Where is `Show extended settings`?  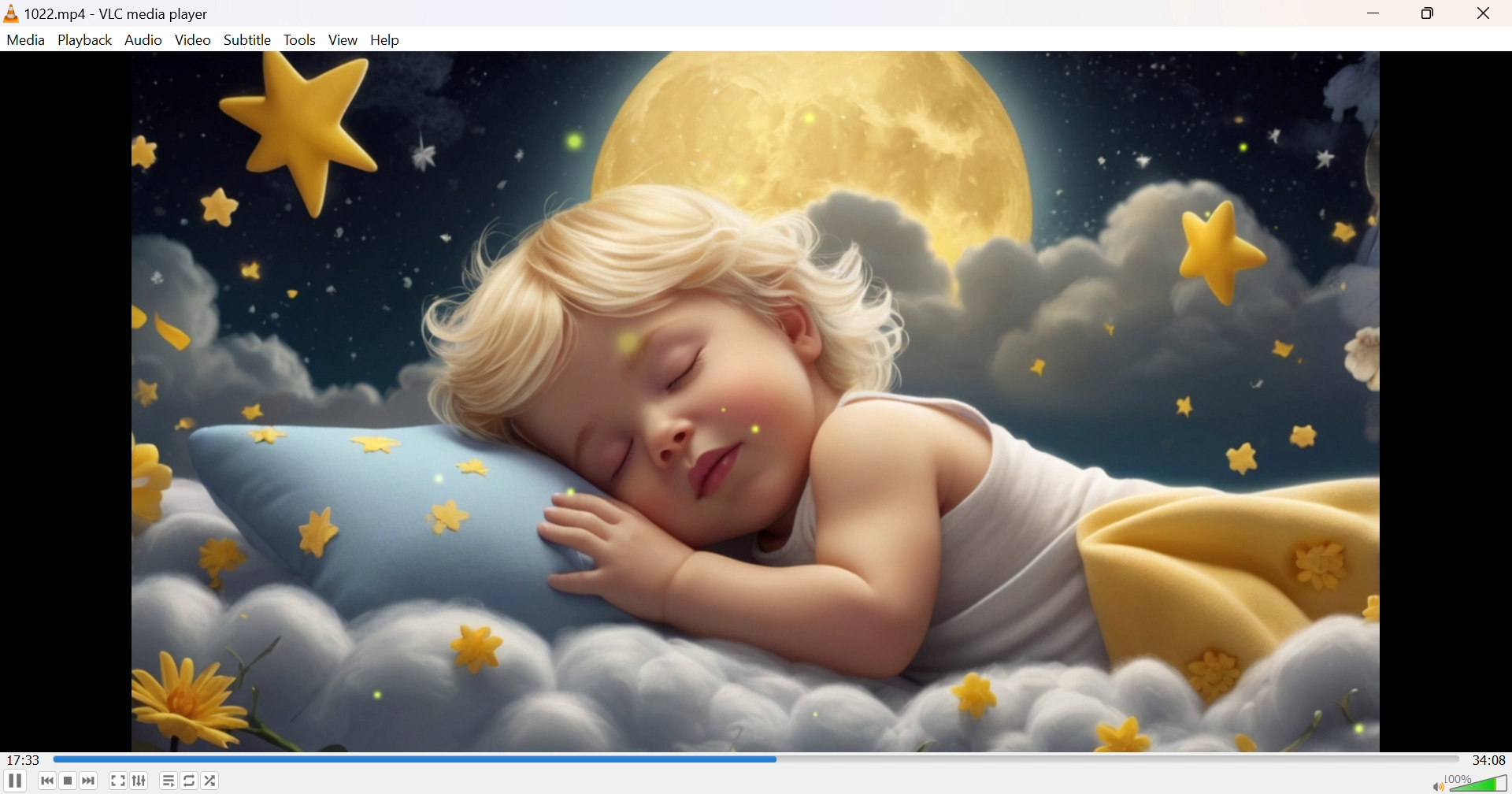
Show extended settings is located at coordinates (141, 781).